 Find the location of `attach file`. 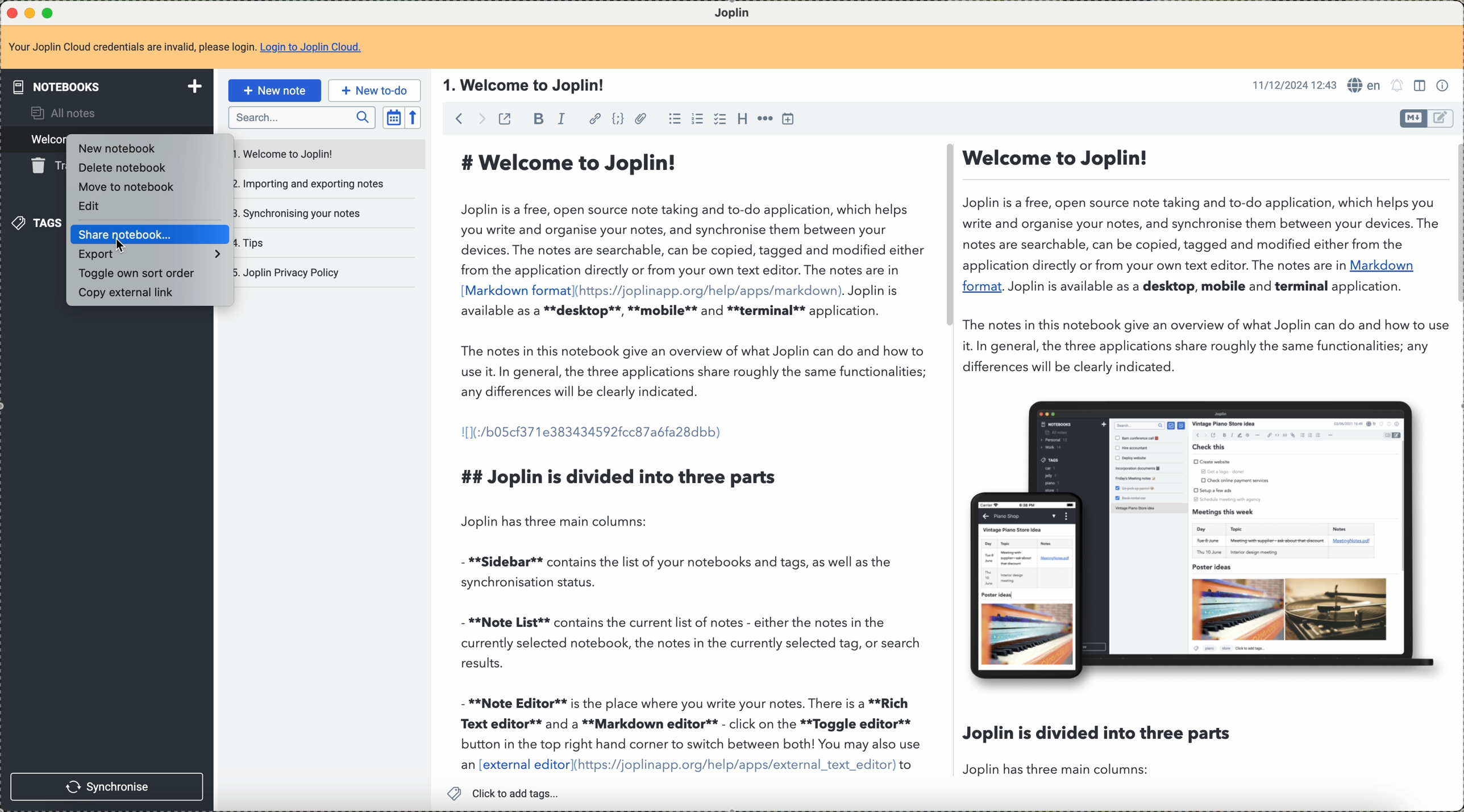

attach file is located at coordinates (640, 119).